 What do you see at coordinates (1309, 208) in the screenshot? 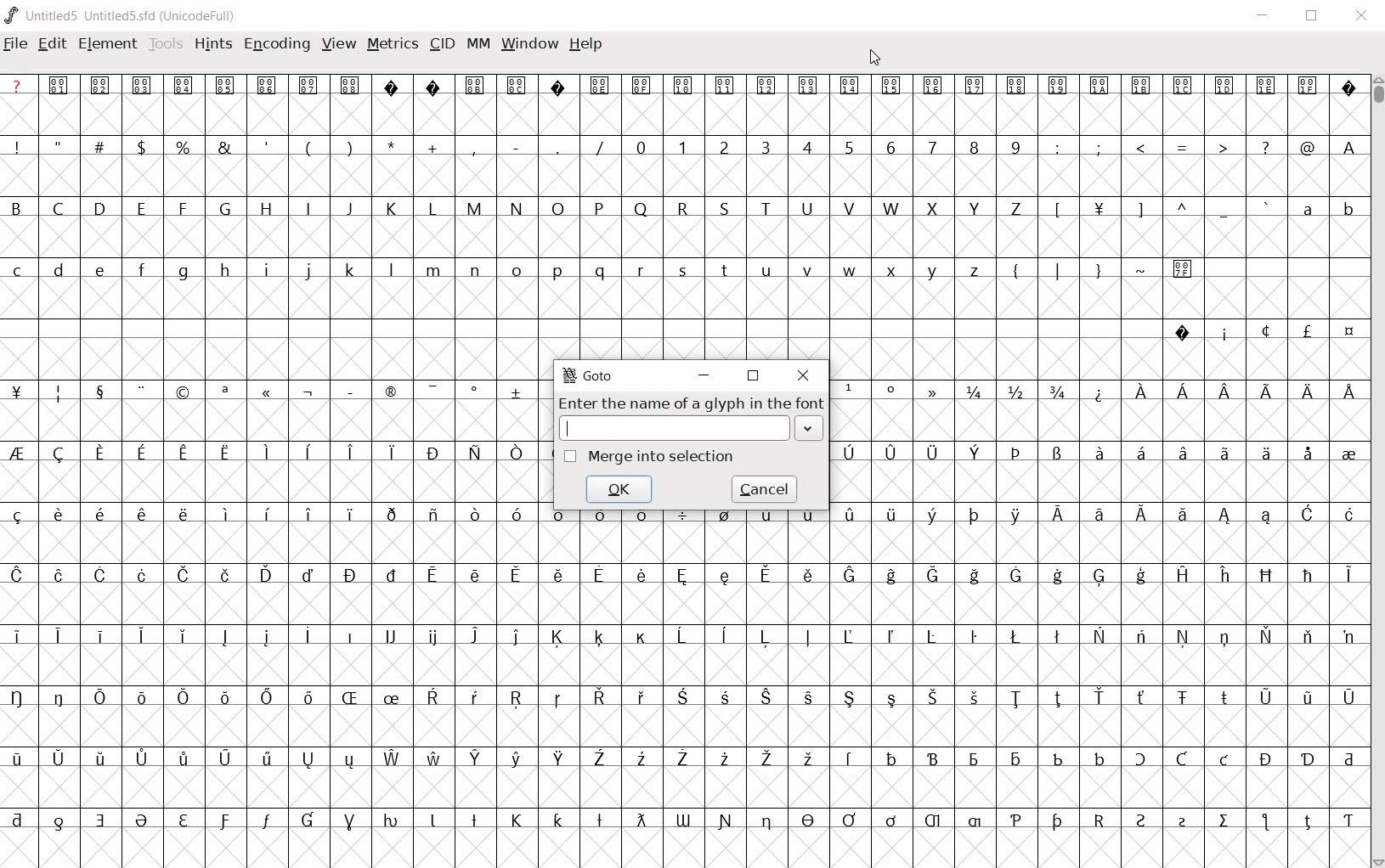
I see `a` at bounding box center [1309, 208].